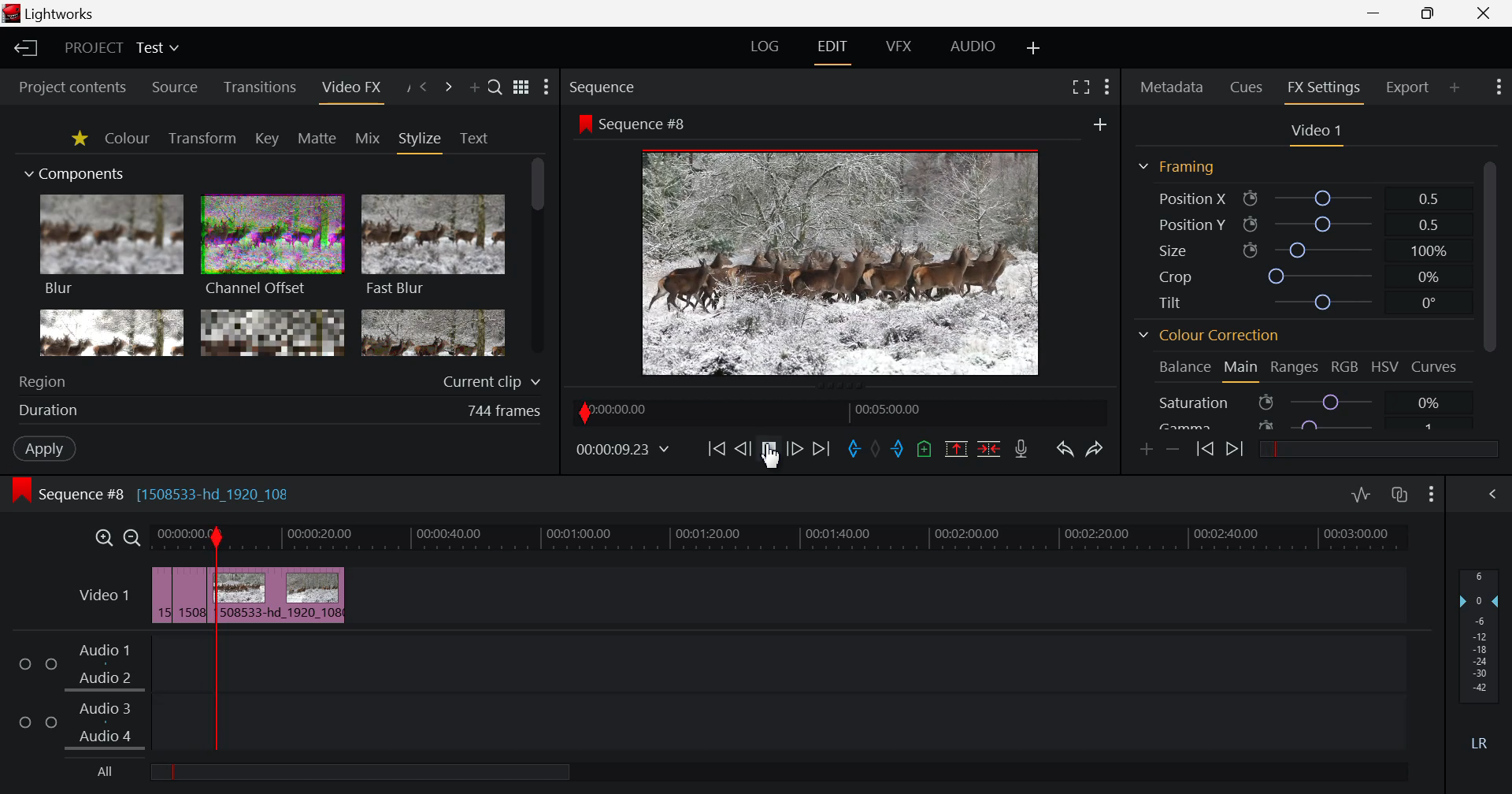 The image size is (1512, 794). Describe the element at coordinates (72, 85) in the screenshot. I see `Project contents` at that location.